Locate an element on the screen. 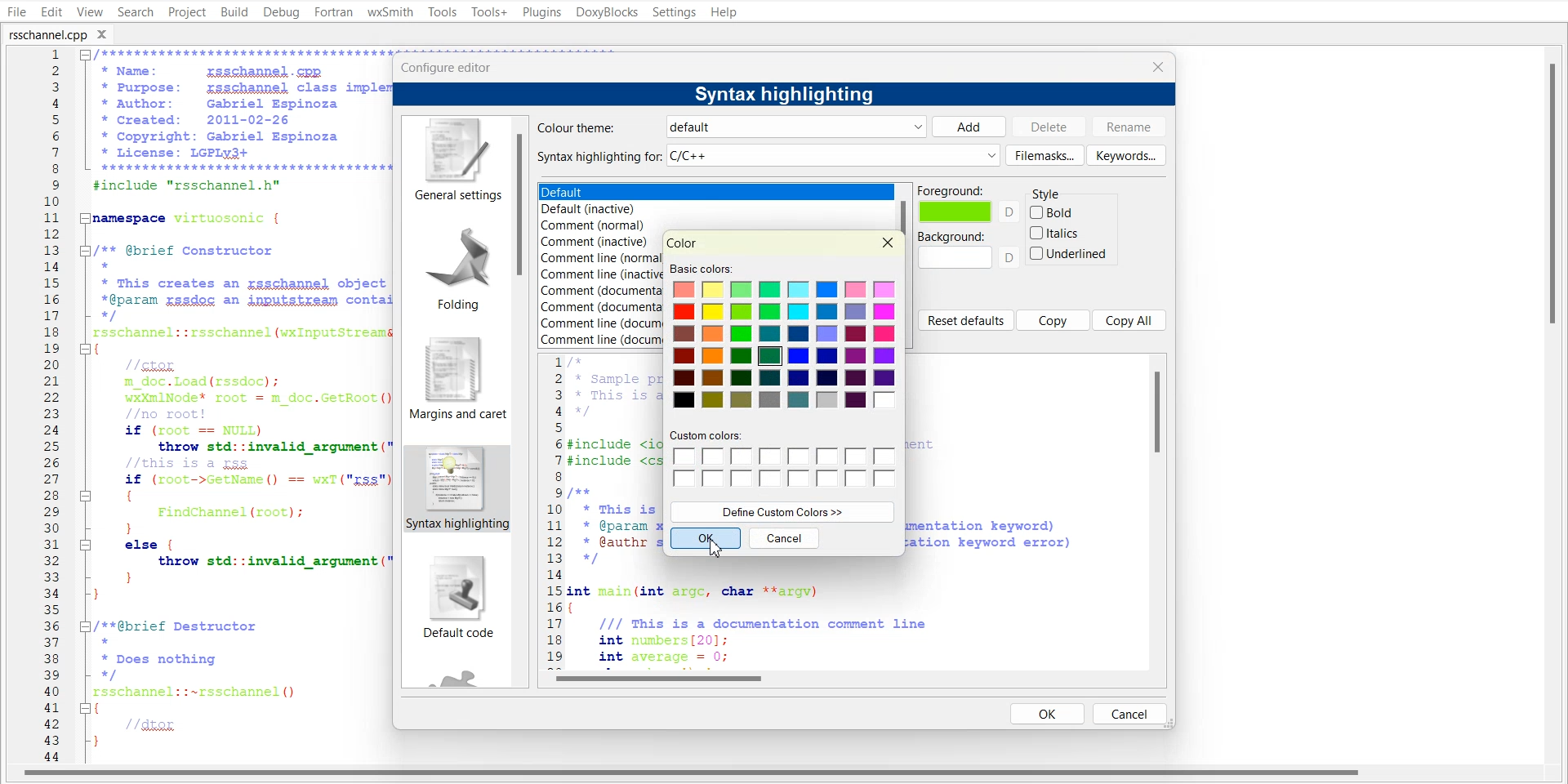  Tools+ is located at coordinates (488, 11).